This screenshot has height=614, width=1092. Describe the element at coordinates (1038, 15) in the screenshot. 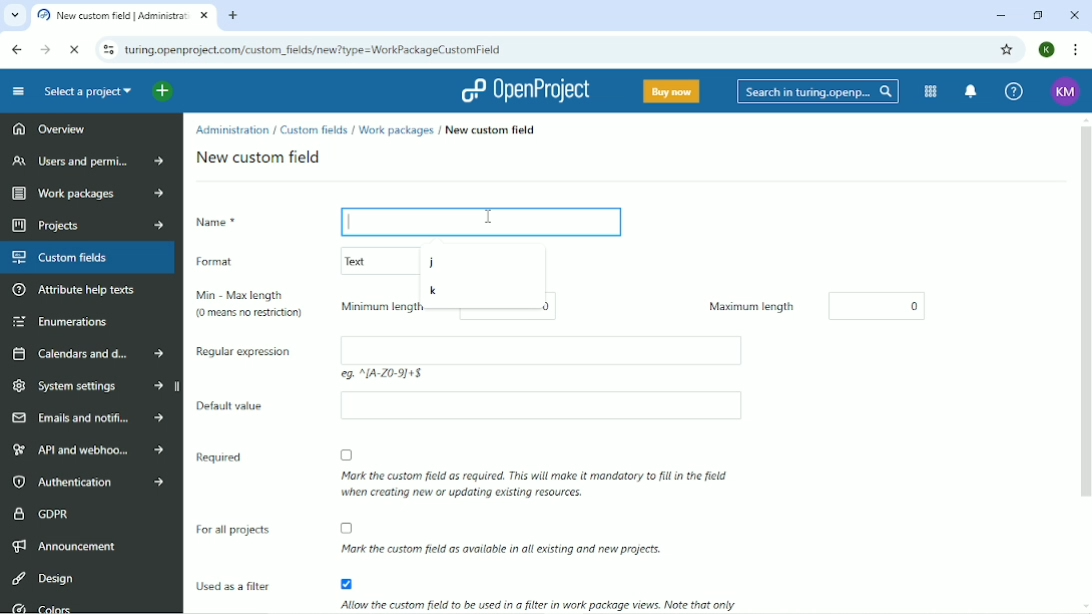

I see `Restore down` at that location.